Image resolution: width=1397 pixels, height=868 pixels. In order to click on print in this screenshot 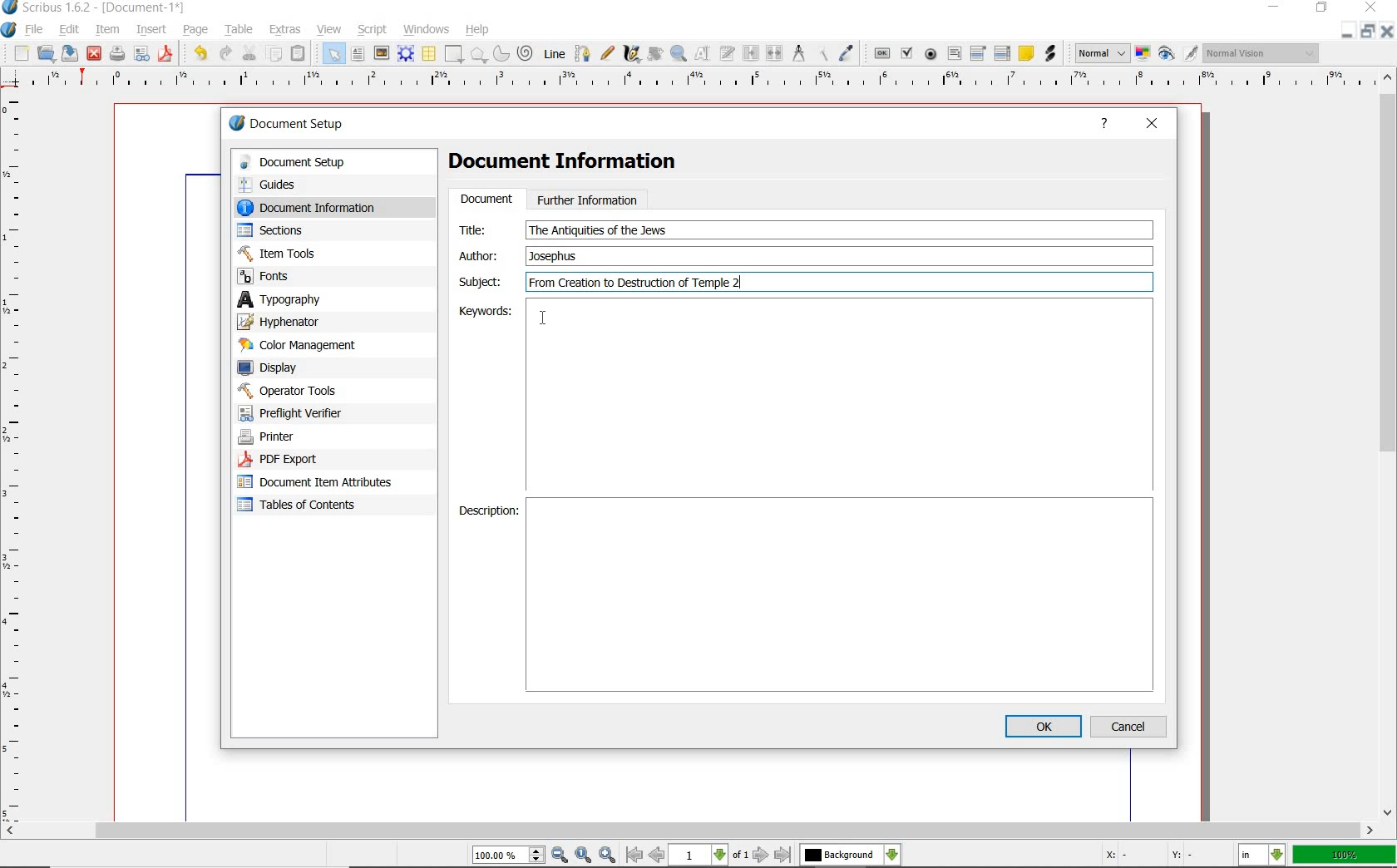, I will do `click(117, 55)`.